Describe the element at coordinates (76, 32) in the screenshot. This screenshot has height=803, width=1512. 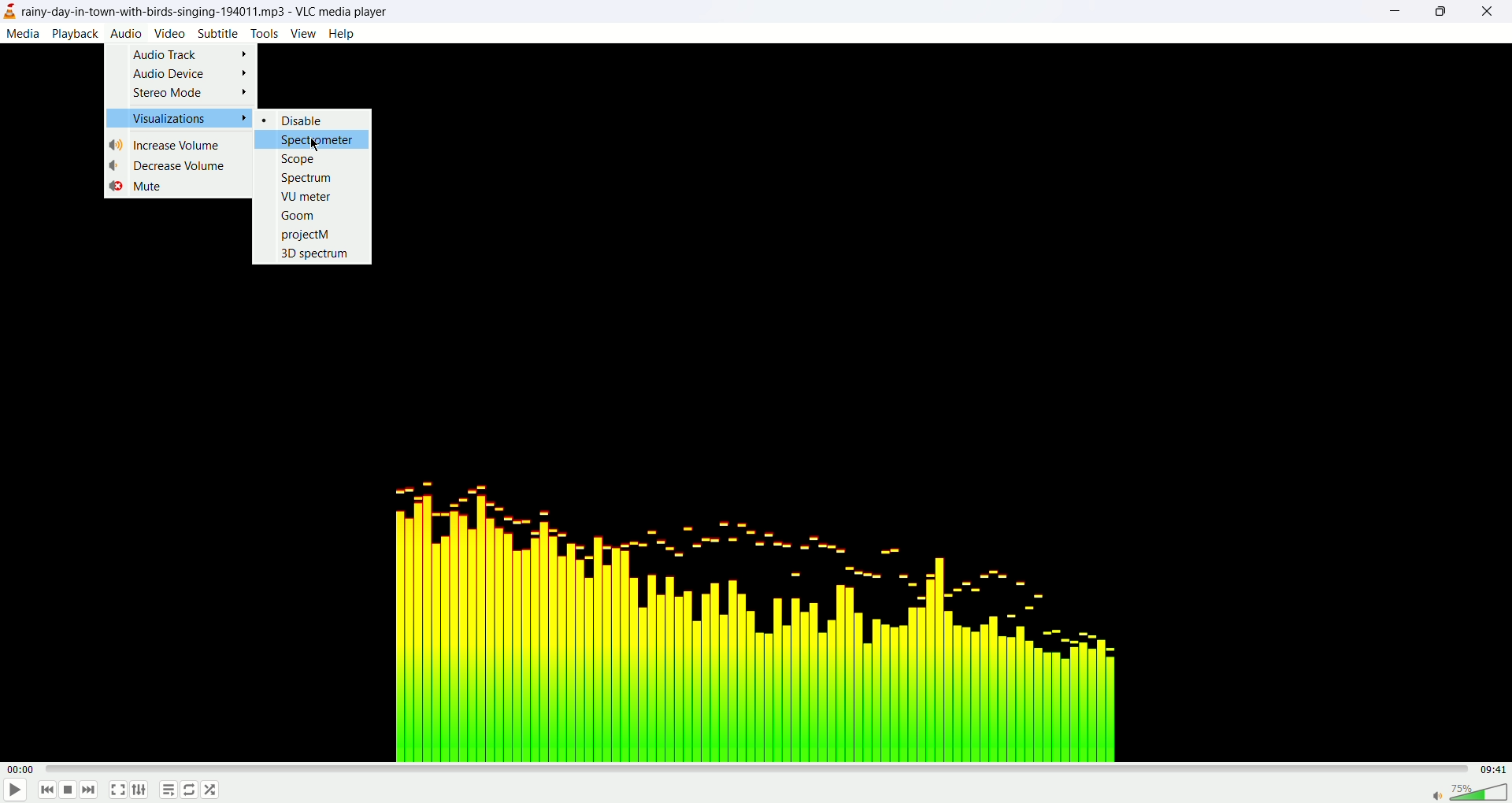
I see `playback` at that location.